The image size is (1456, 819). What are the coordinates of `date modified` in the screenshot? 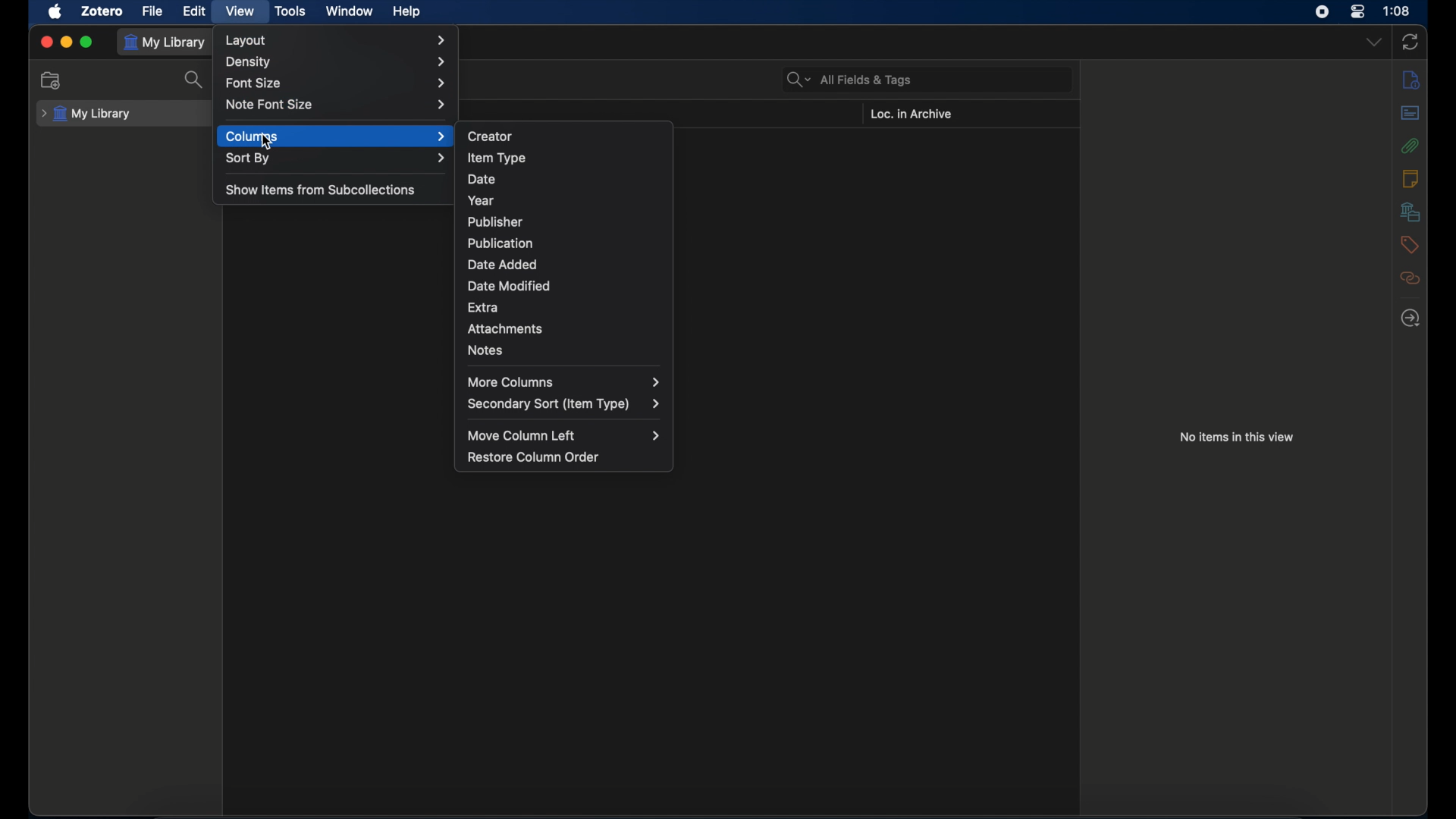 It's located at (510, 286).